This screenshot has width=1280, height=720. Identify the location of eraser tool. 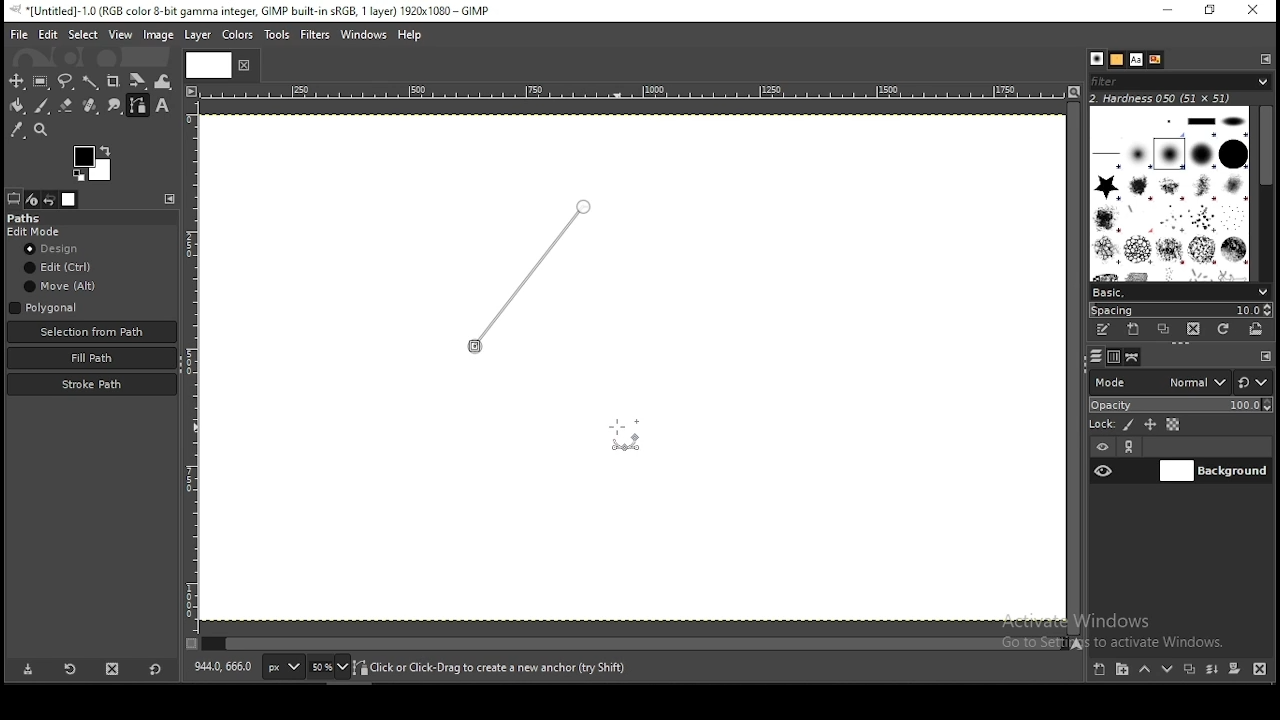
(66, 108).